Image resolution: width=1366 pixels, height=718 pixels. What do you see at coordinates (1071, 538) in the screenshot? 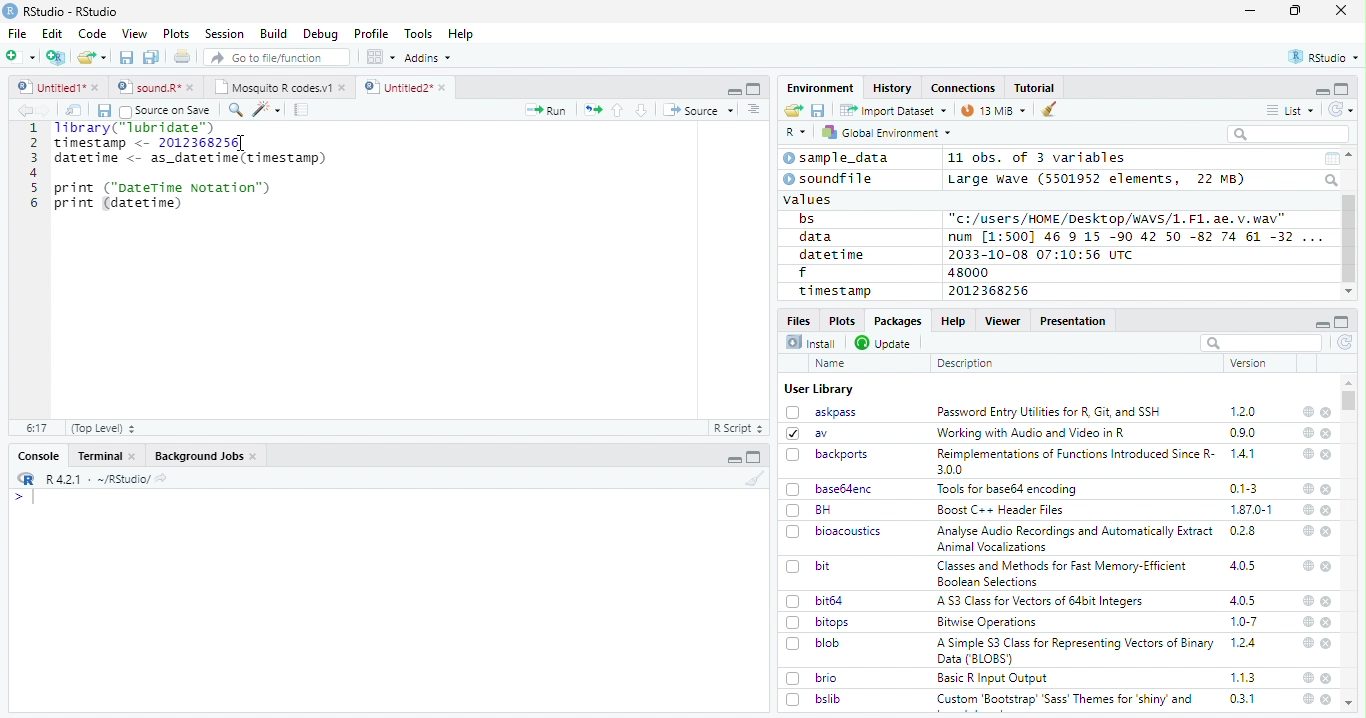
I see `Analyse Audio Recordings and Automatically ExtractAnimal Vocalizations` at bounding box center [1071, 538].